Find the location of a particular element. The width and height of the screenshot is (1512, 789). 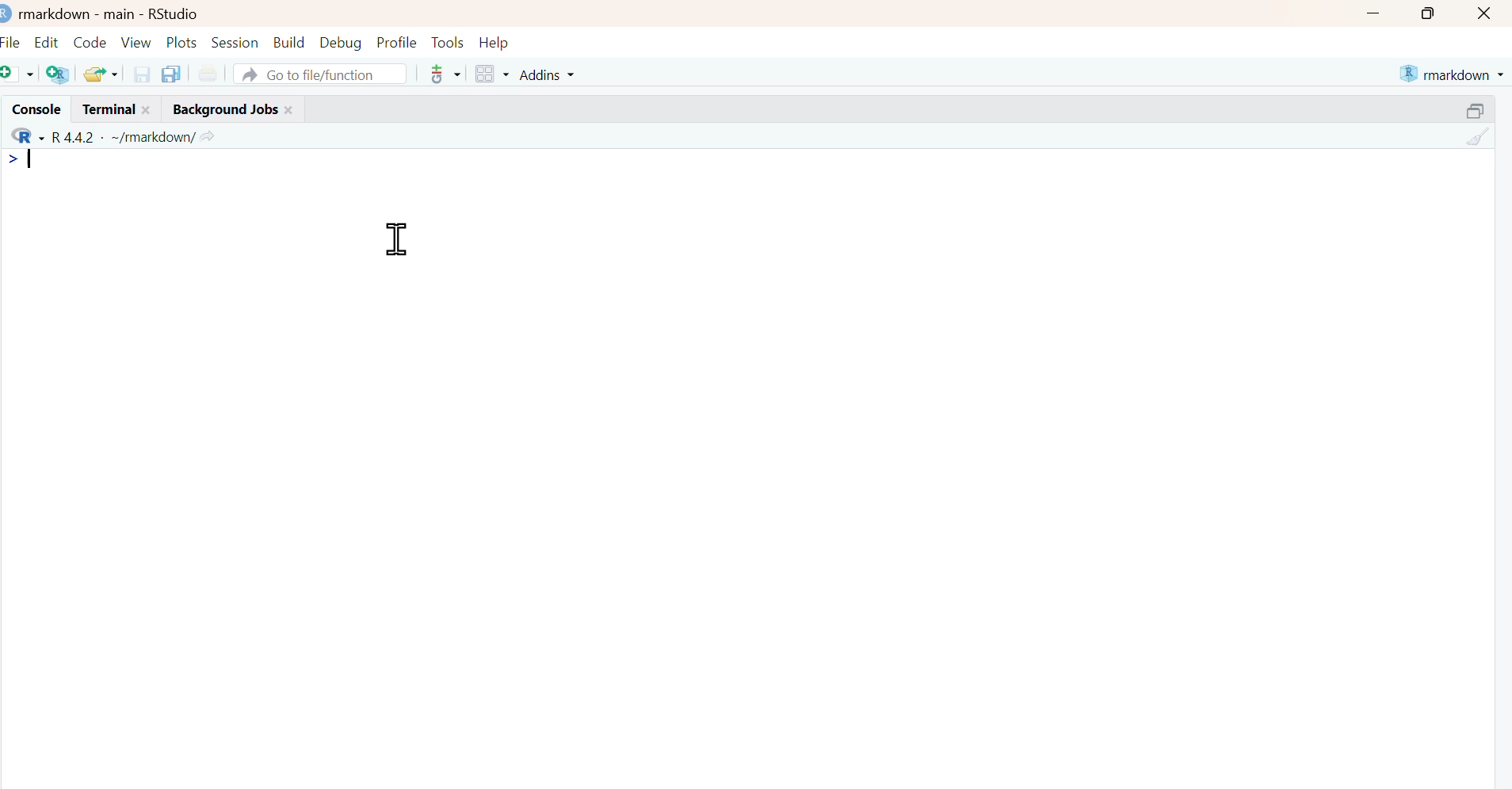

Print current file is located at coordinates (208, 73).